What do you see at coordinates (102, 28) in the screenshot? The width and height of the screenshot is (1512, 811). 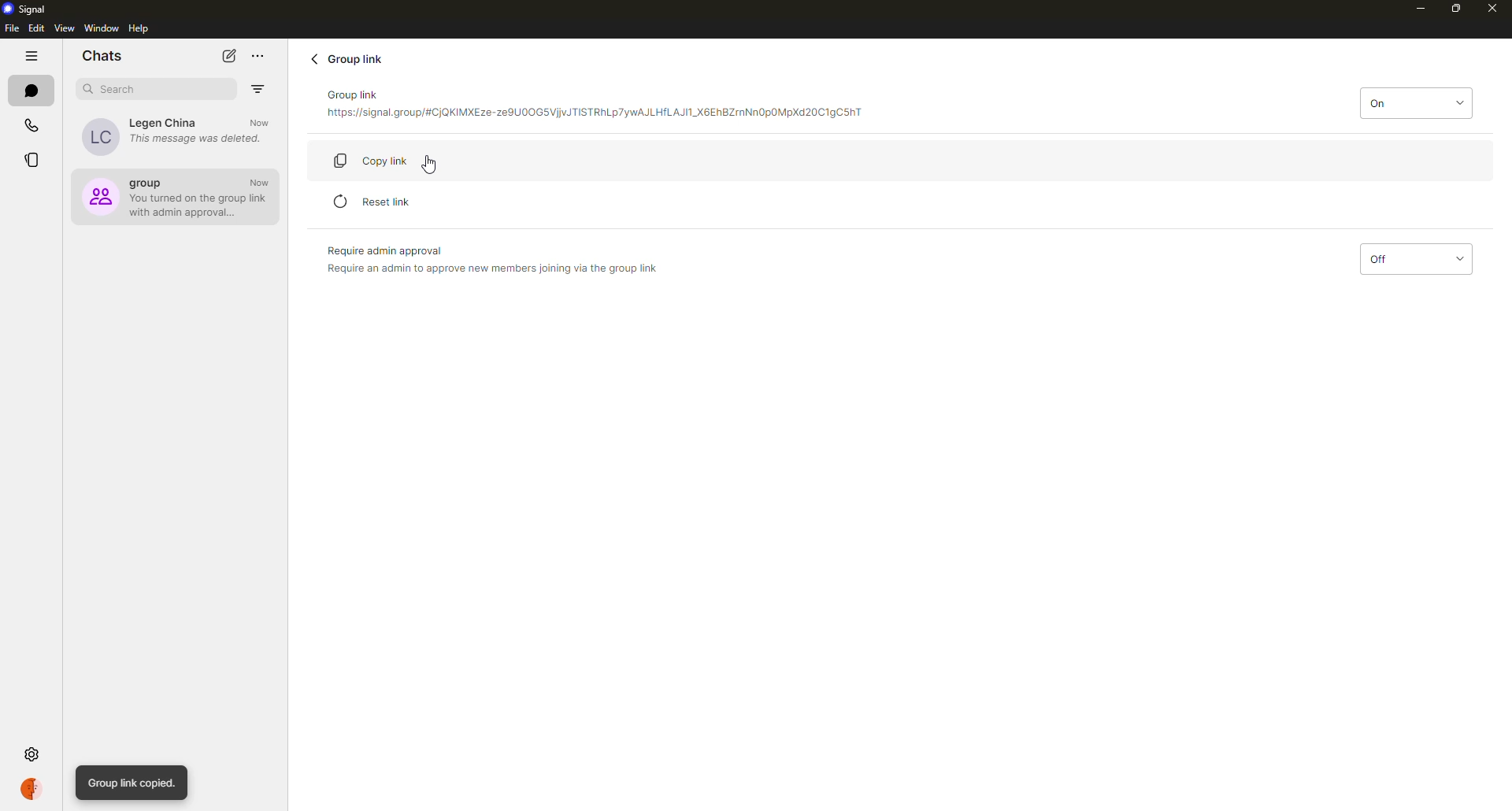 I see `window` at bounding box center [102, 28].